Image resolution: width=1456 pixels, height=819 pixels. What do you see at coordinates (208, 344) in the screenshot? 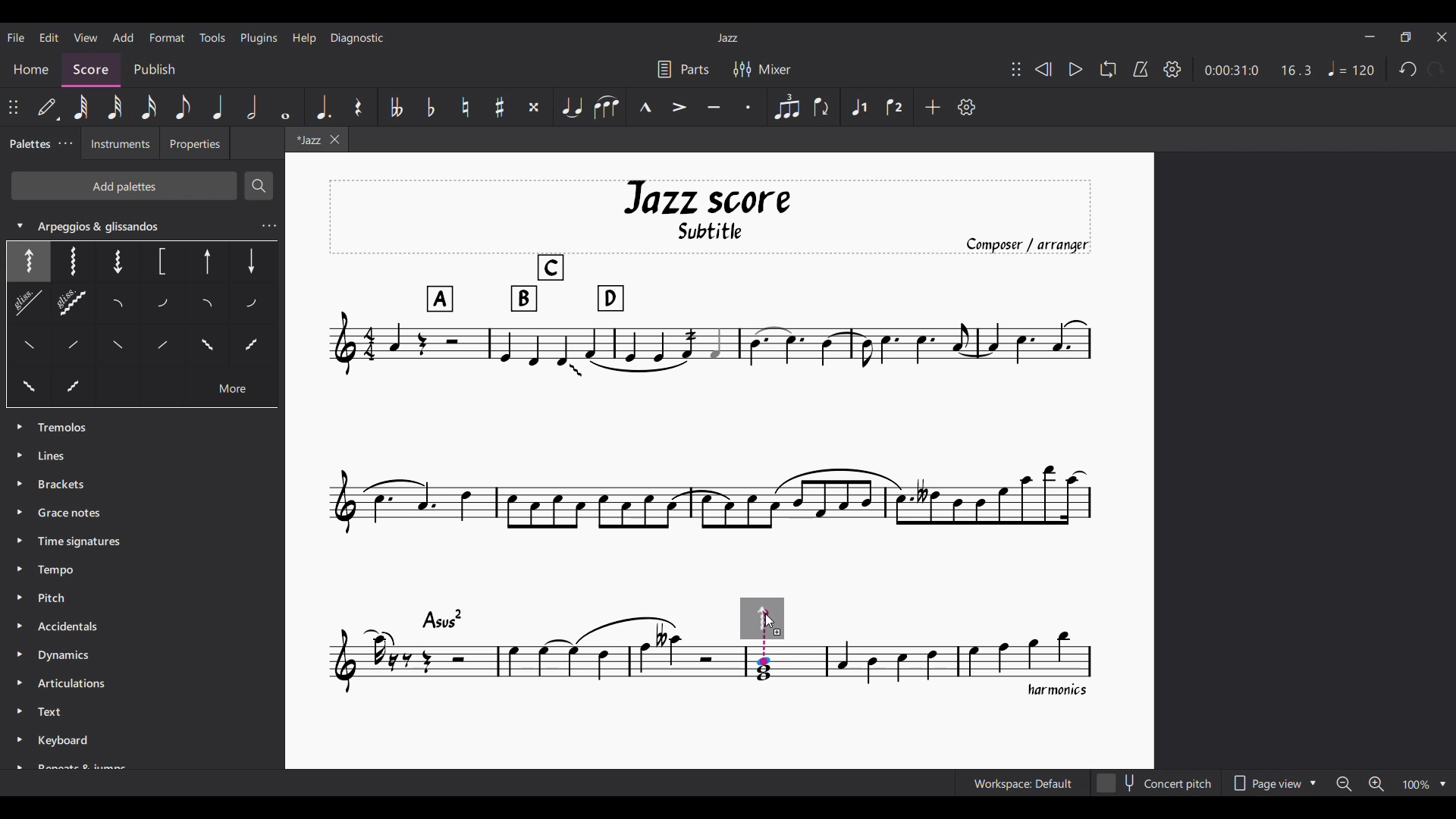
I see `` at bounding box center [208, 344].